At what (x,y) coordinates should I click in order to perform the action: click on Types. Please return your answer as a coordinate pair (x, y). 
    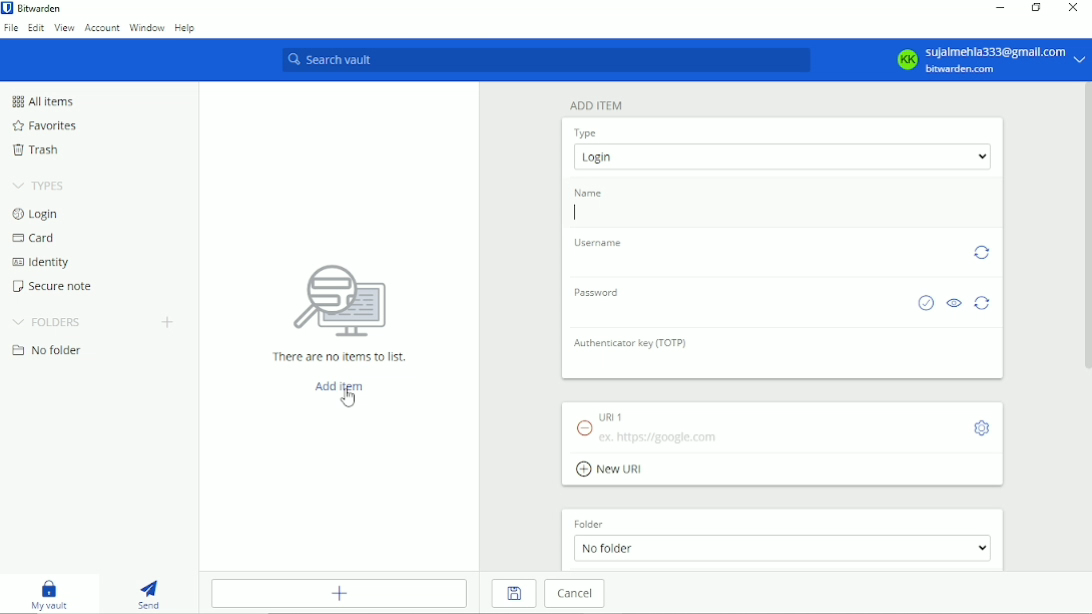
    Looking at the image, I should click on (41, 185).